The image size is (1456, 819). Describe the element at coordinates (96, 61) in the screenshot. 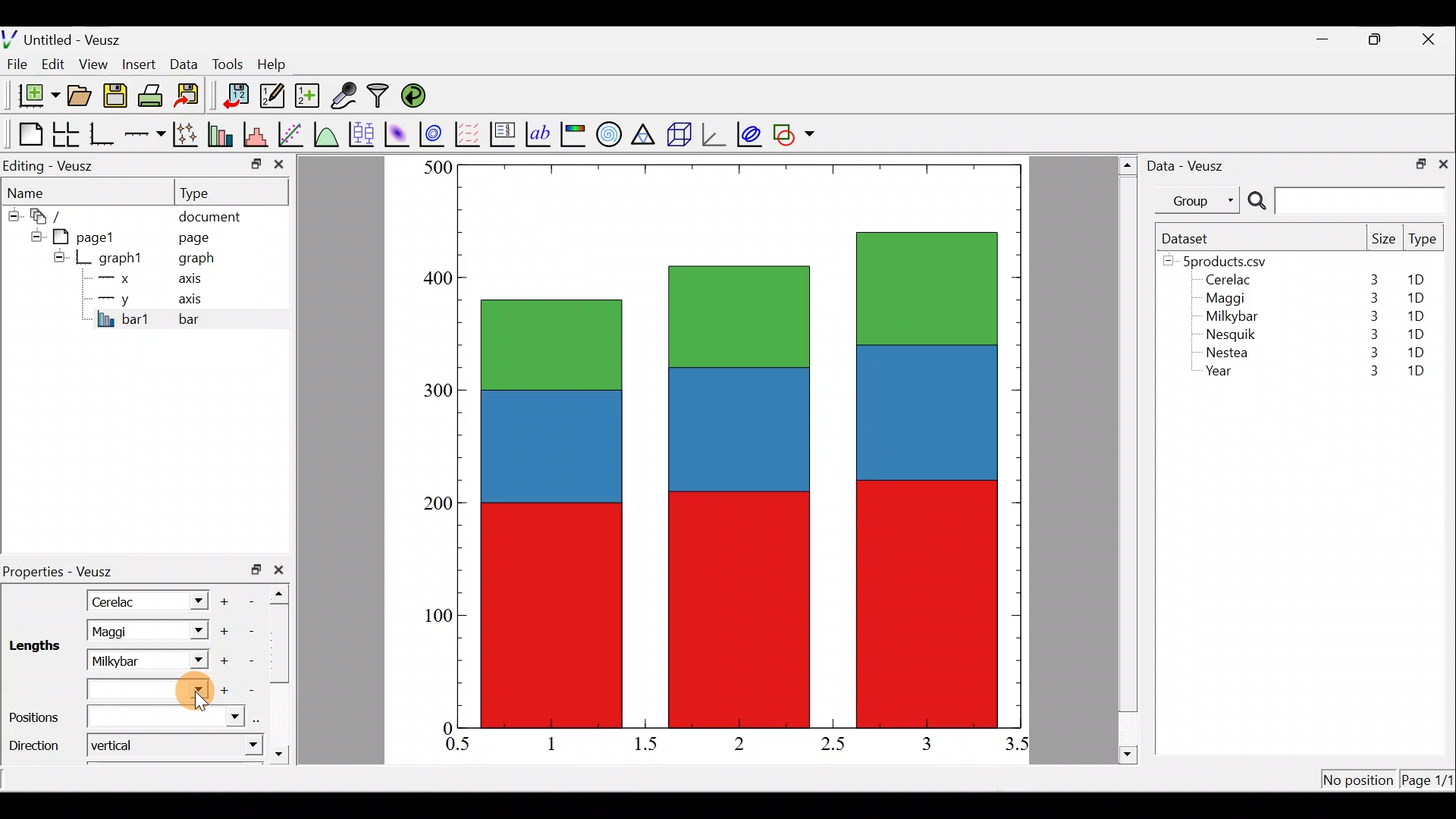

I see `View` at that location.